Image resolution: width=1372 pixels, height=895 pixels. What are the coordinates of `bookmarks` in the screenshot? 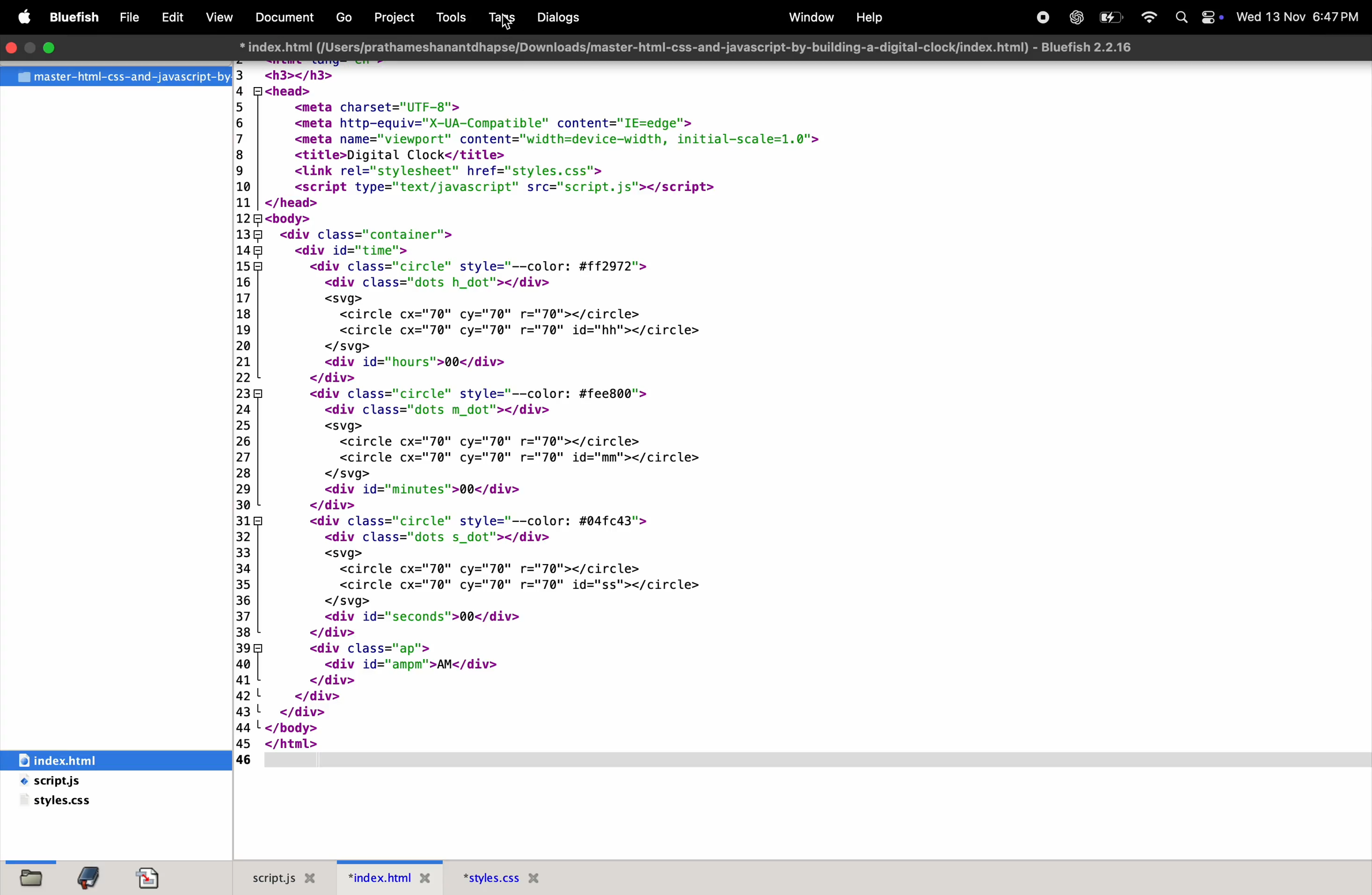 It's located at (89, 876).